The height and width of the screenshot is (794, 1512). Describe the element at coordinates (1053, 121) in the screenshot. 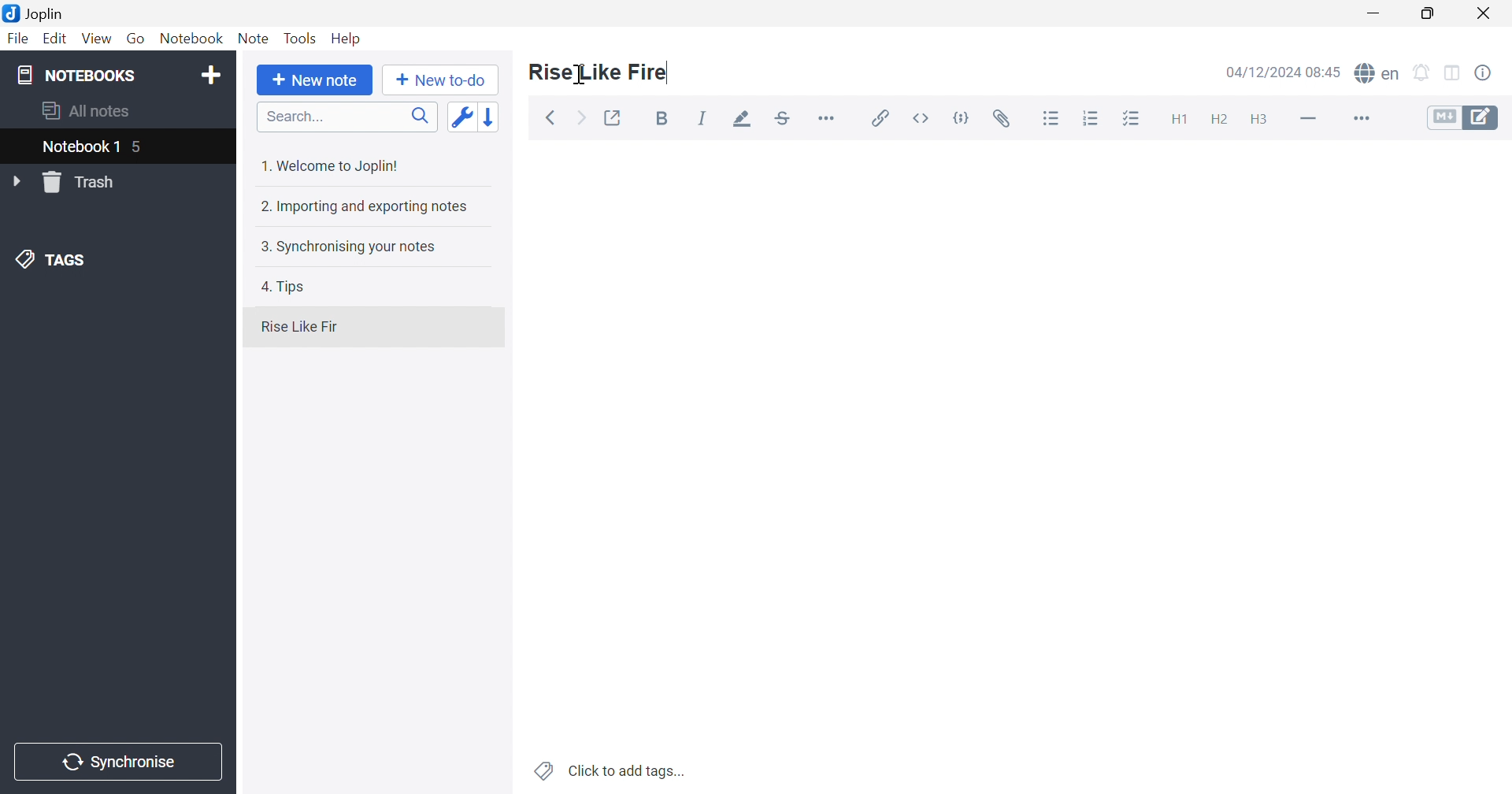

I see `Bulleted list` at that location.